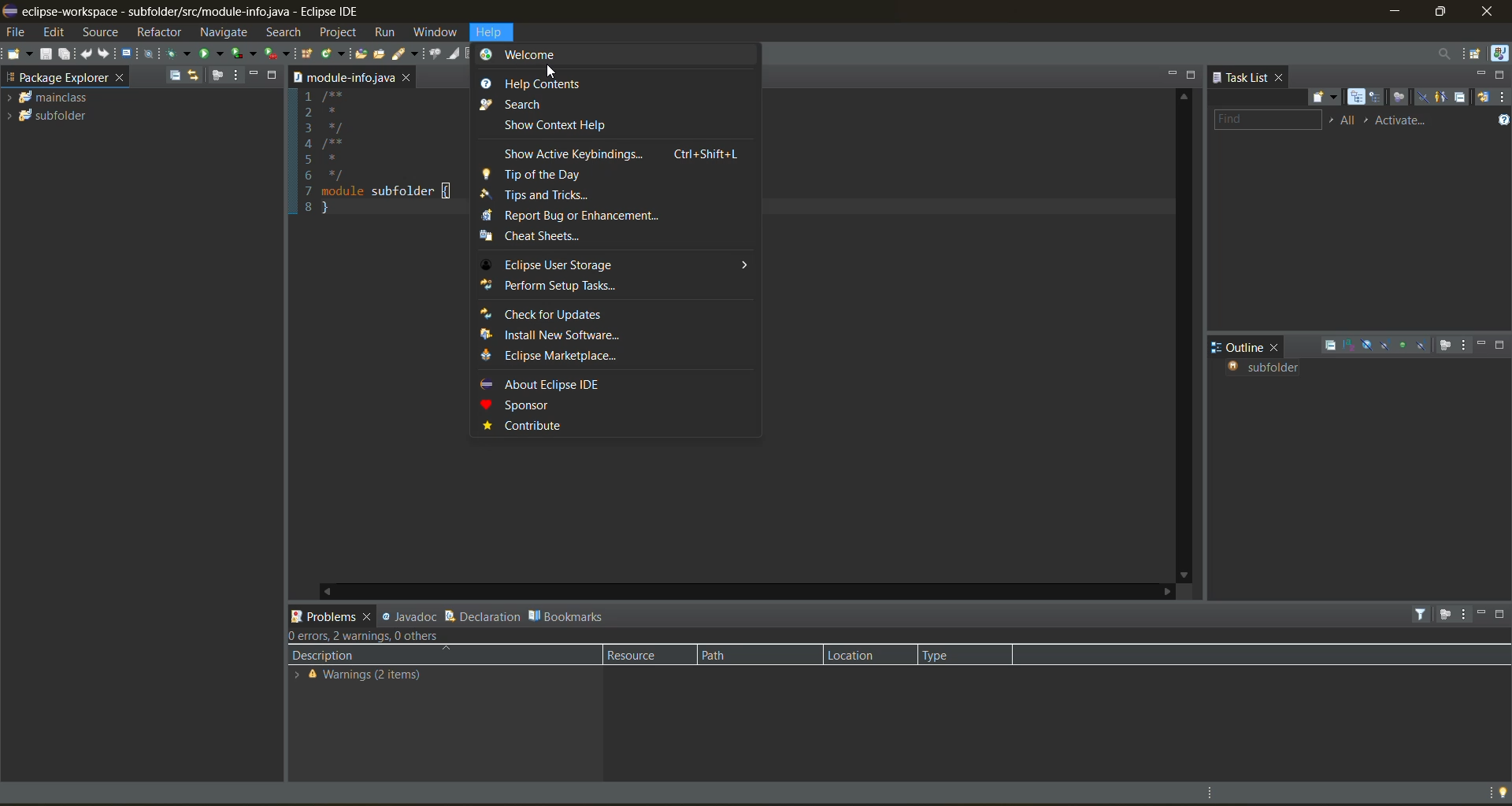 The height and width of the screenshot is (806, 1512). I want to click on tip of the day, so click(1503, 792).